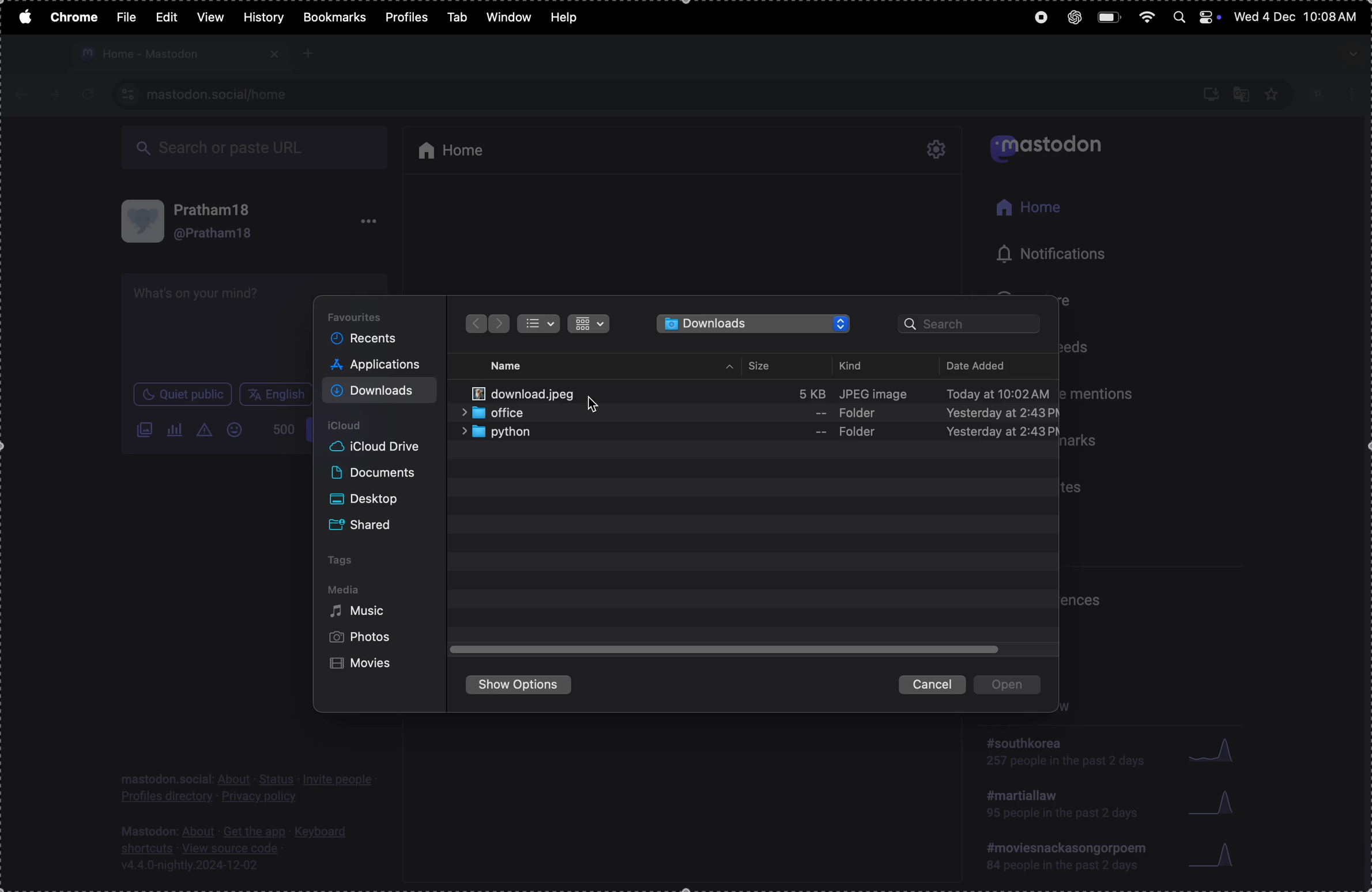 The width and height of the screenshot is (1372, 892). I want to click on Search box url, so click(258, 149).